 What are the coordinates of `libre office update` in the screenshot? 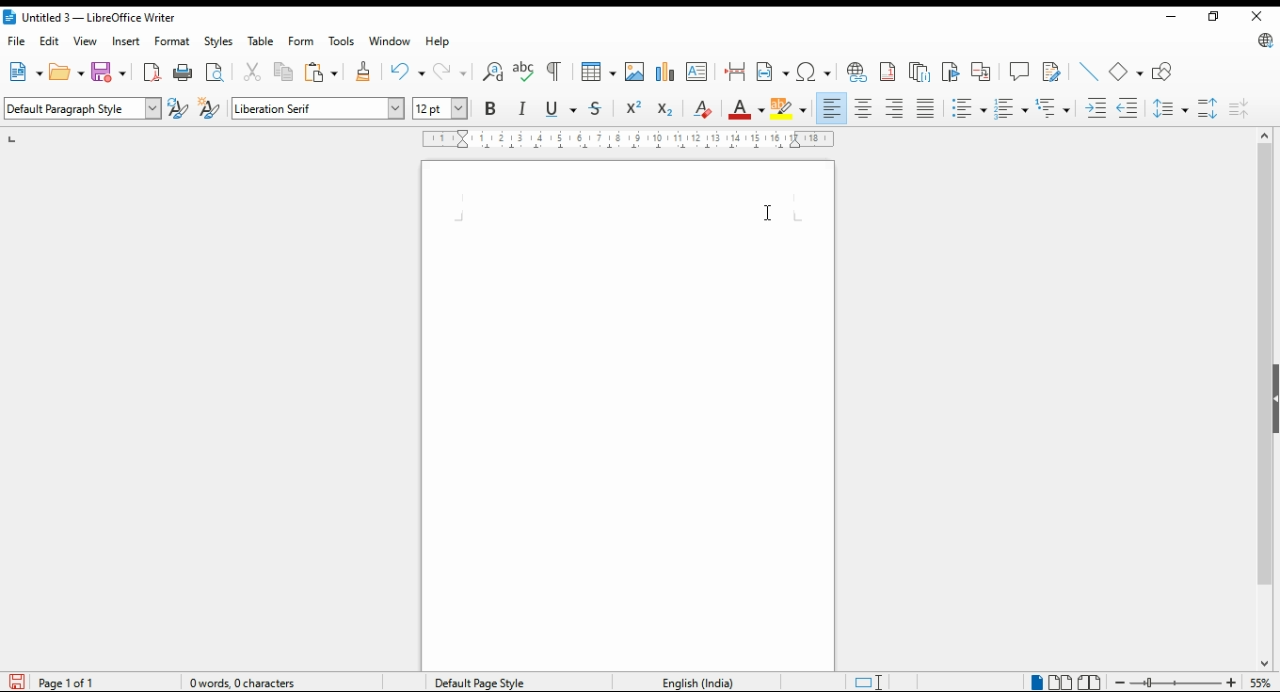 It's located at (1262, 42).